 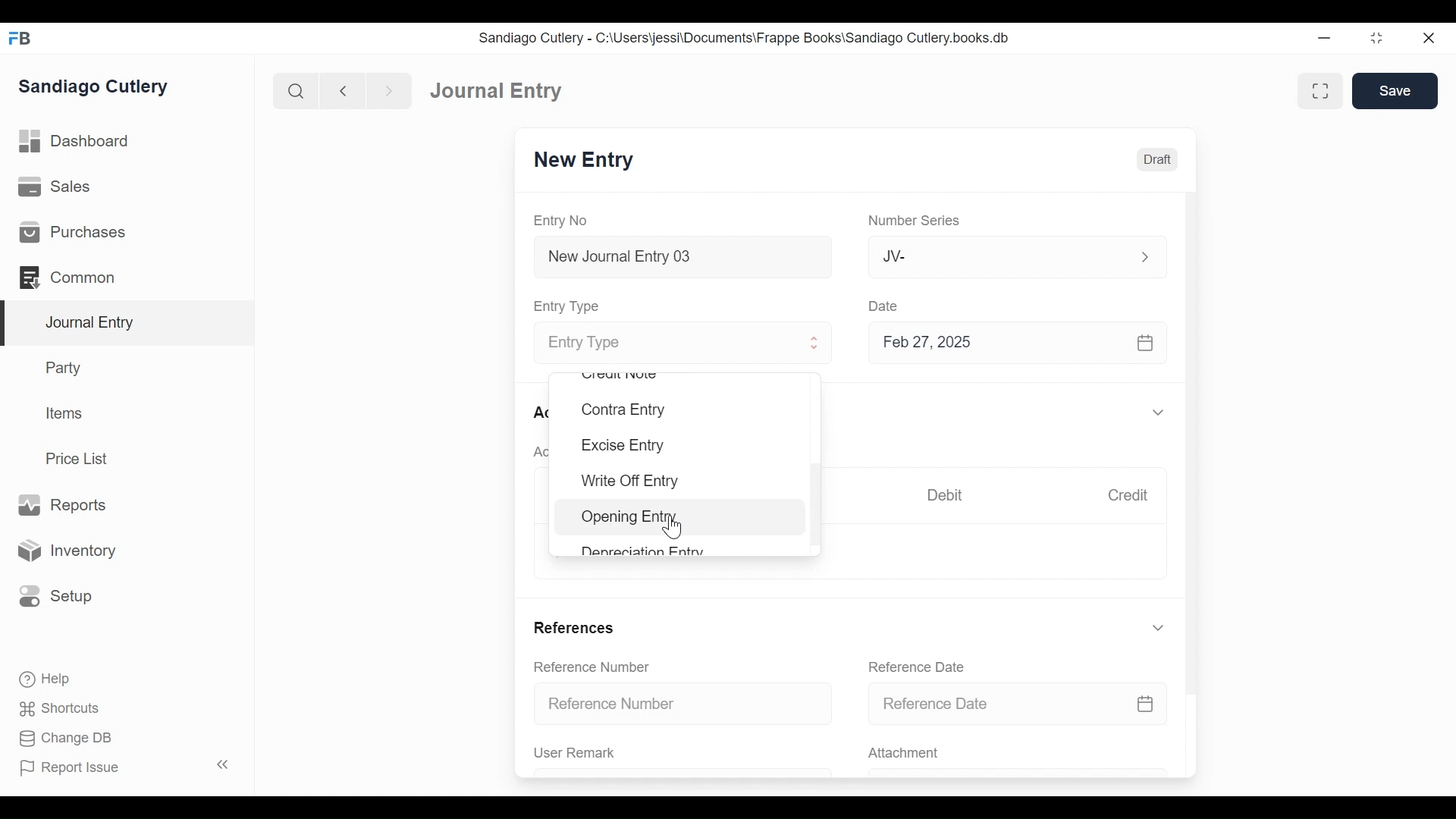 I want to click on Navigate back, so click(x=341, y=91).